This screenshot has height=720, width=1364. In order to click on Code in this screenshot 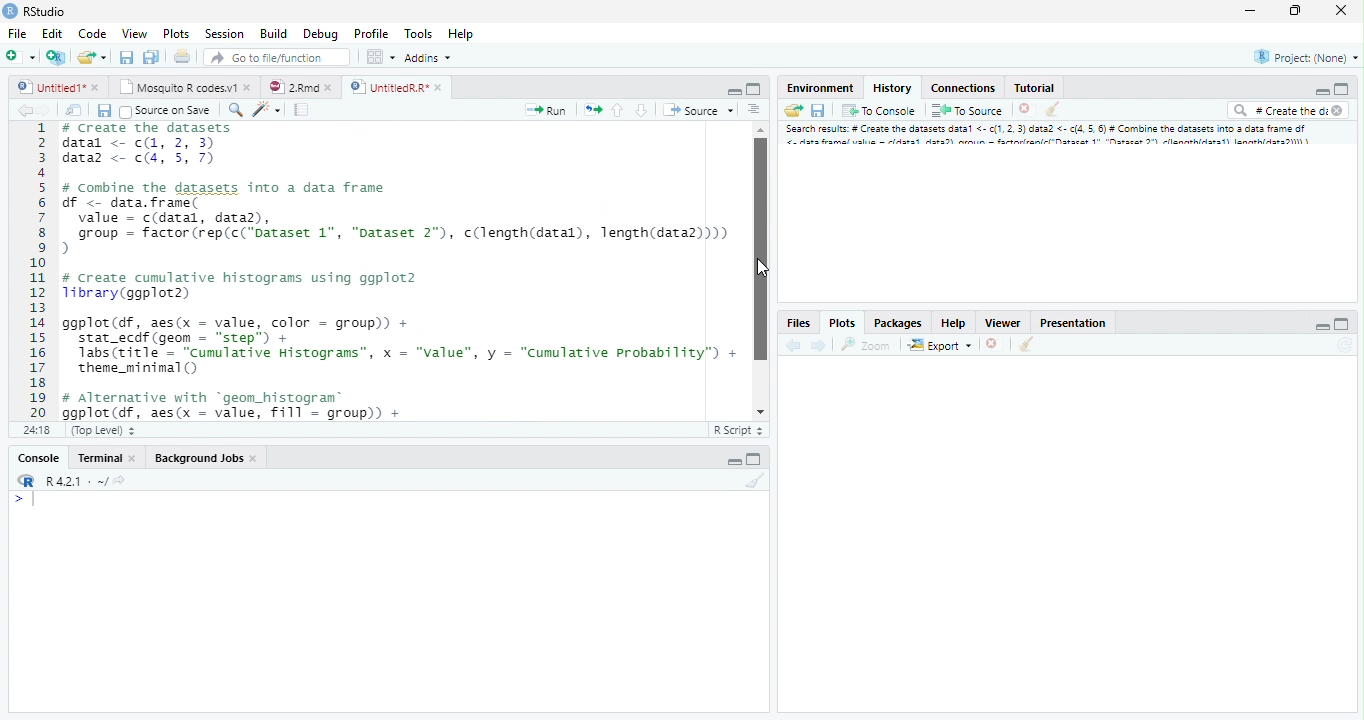, I will do `click(91, 35)`.